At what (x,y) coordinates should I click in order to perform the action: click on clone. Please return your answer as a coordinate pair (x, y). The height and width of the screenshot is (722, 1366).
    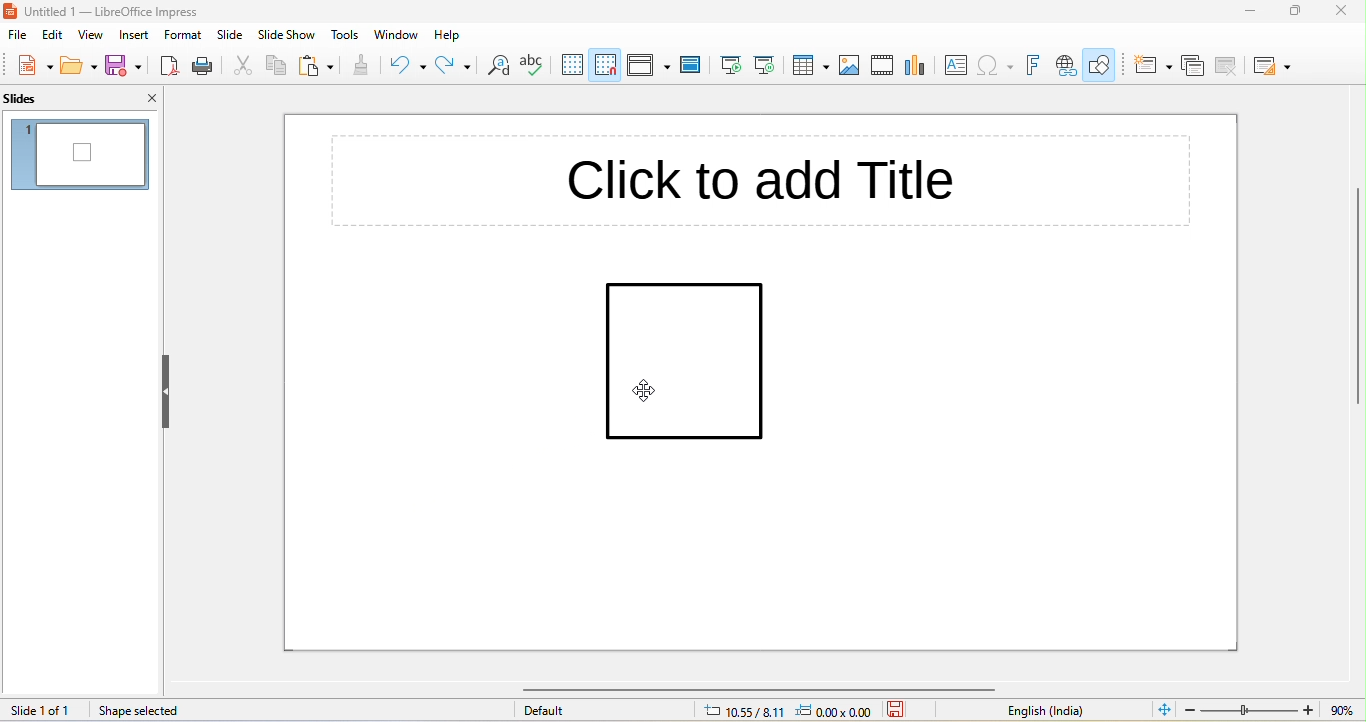
    Looking at the image, I should click on (359, 64).